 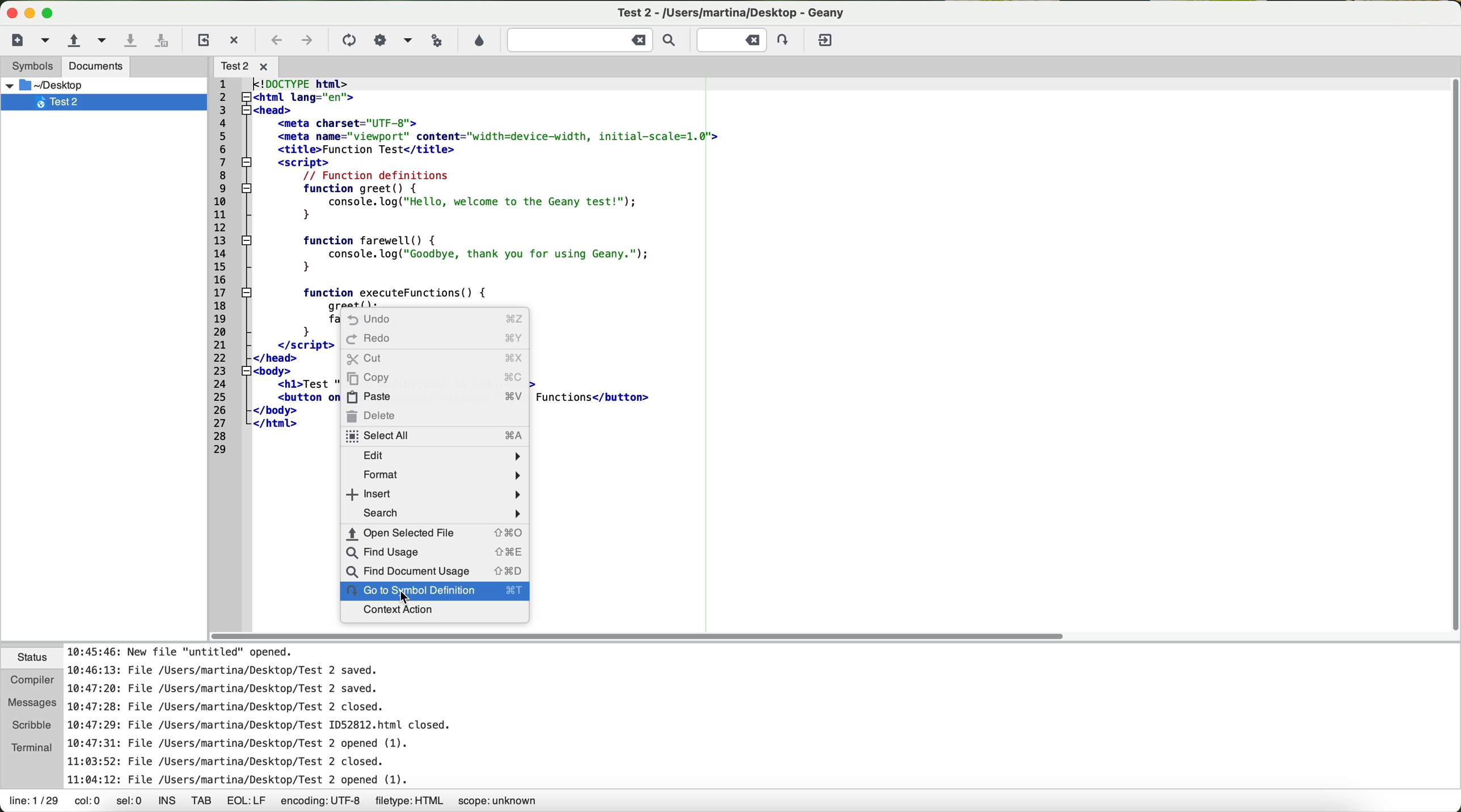 What do you see at coordinates (71, 42) in the screenshot?
I see `open an existing file` at bounding box center [71, 42].